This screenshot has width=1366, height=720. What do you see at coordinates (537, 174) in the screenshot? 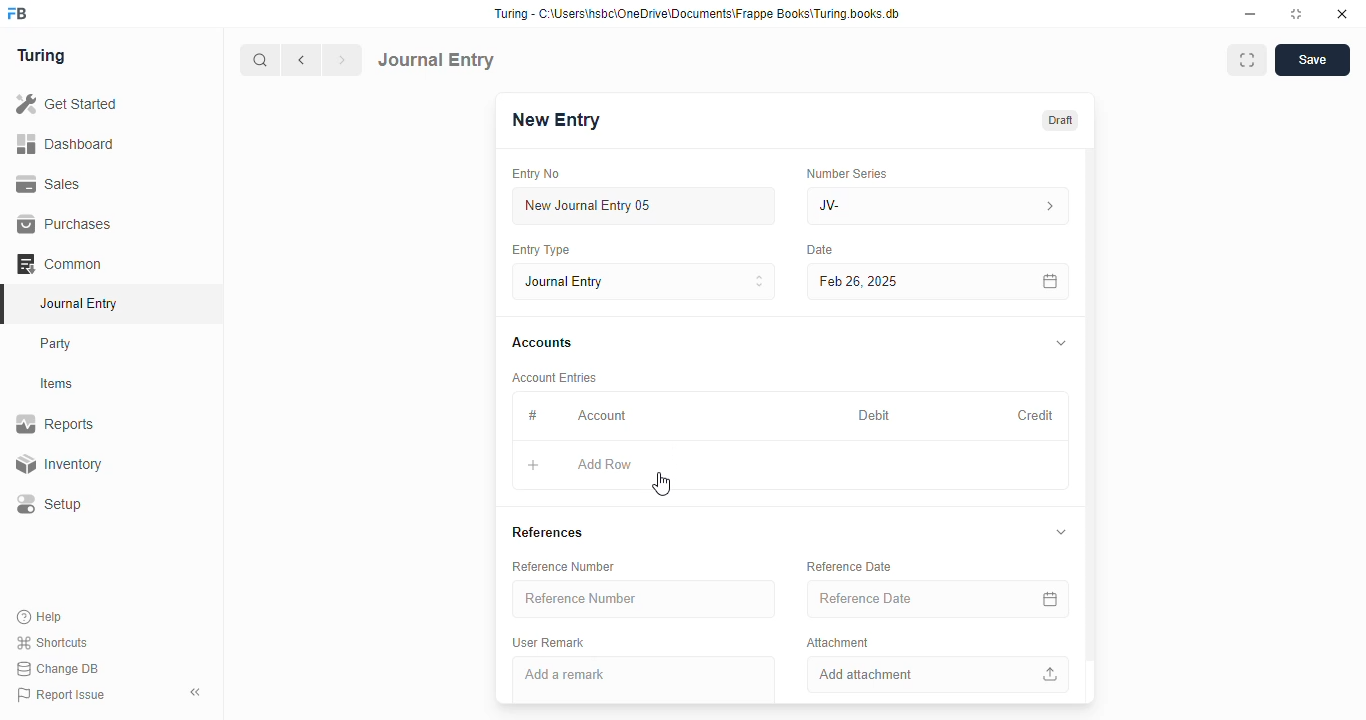
I see `entry no` at bounding box center [537, 174].